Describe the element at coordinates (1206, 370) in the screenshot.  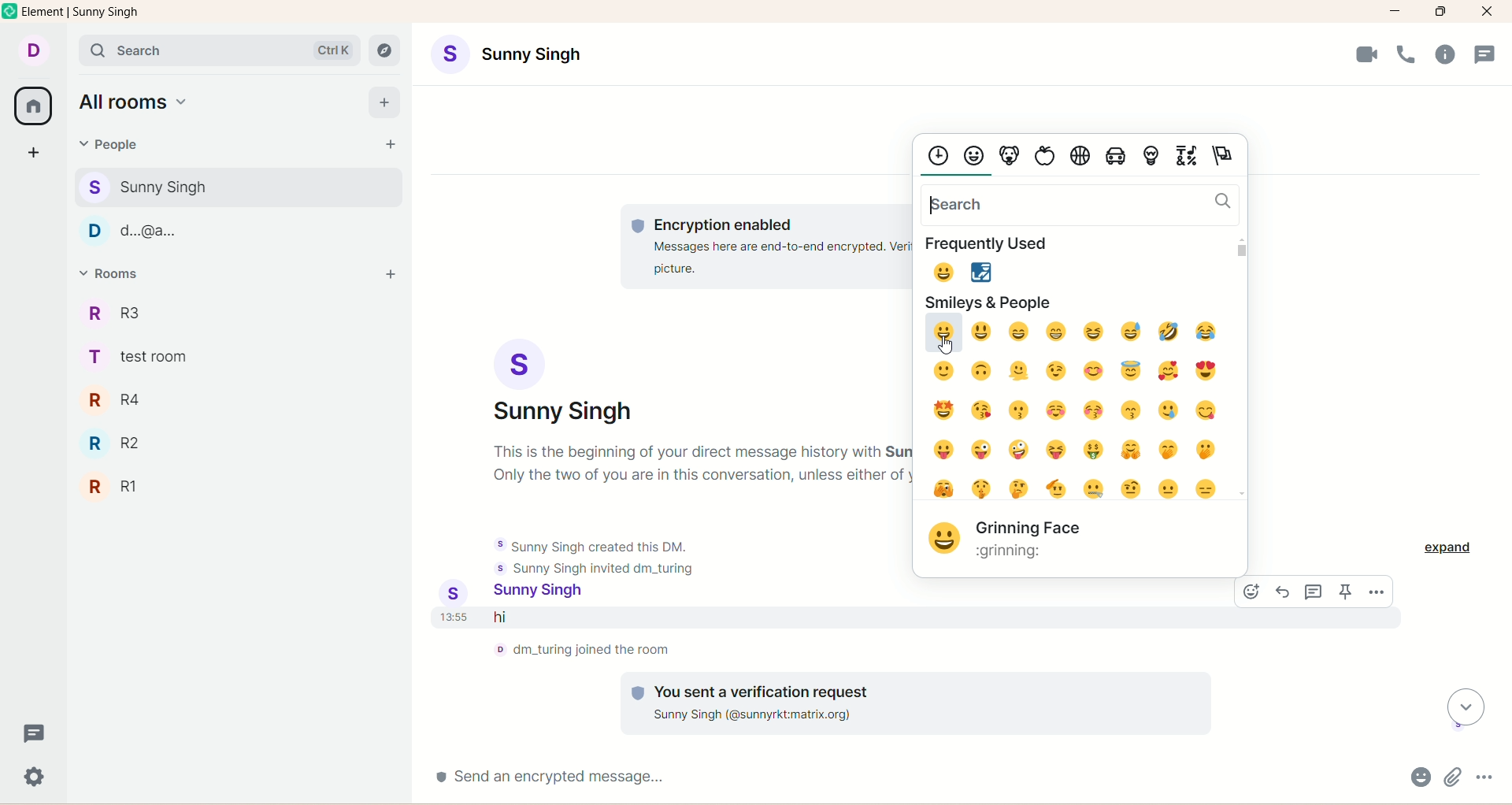
I see `Smiling face with heart eyes` at that location.